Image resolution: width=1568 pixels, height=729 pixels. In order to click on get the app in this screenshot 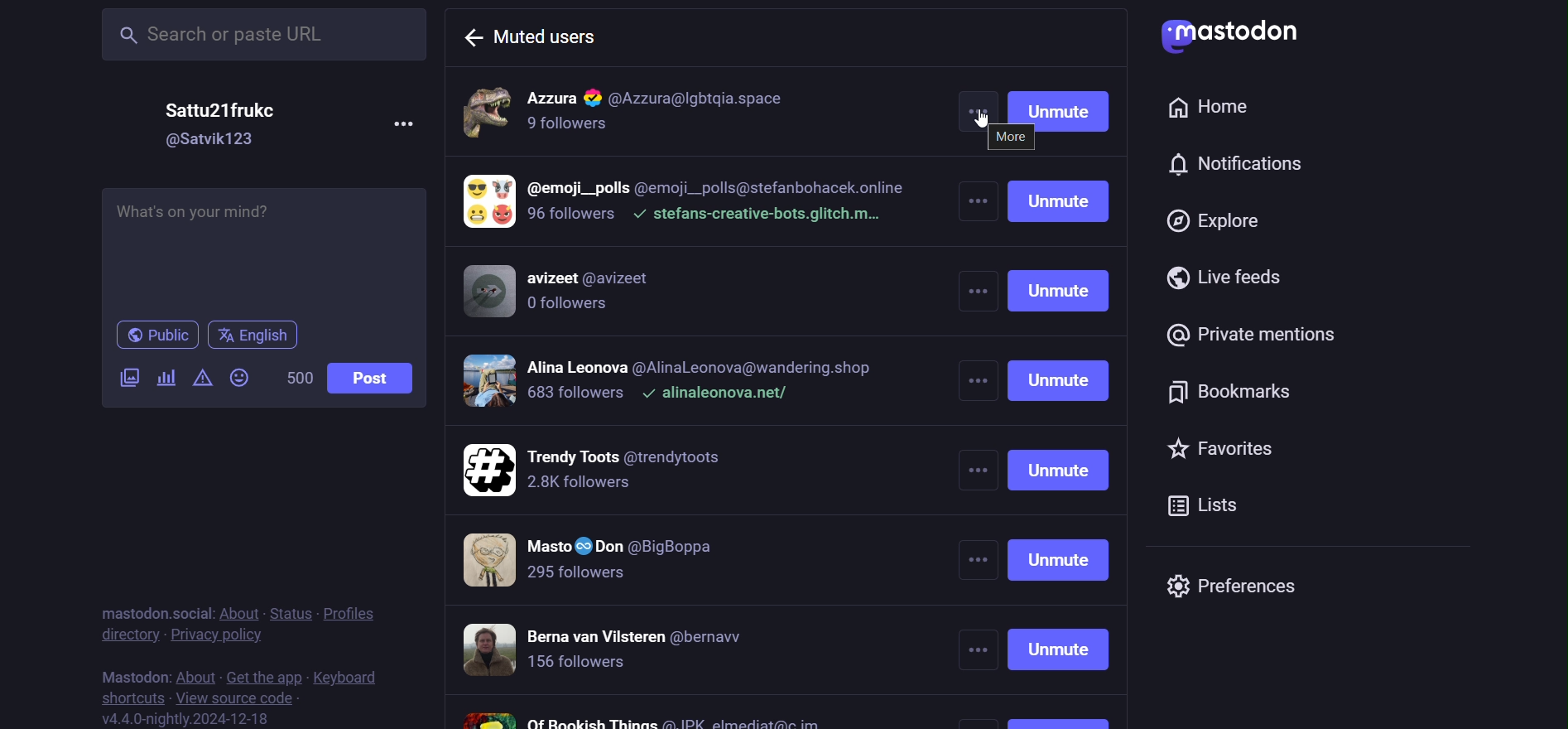, I will do `click(263, 673)`.